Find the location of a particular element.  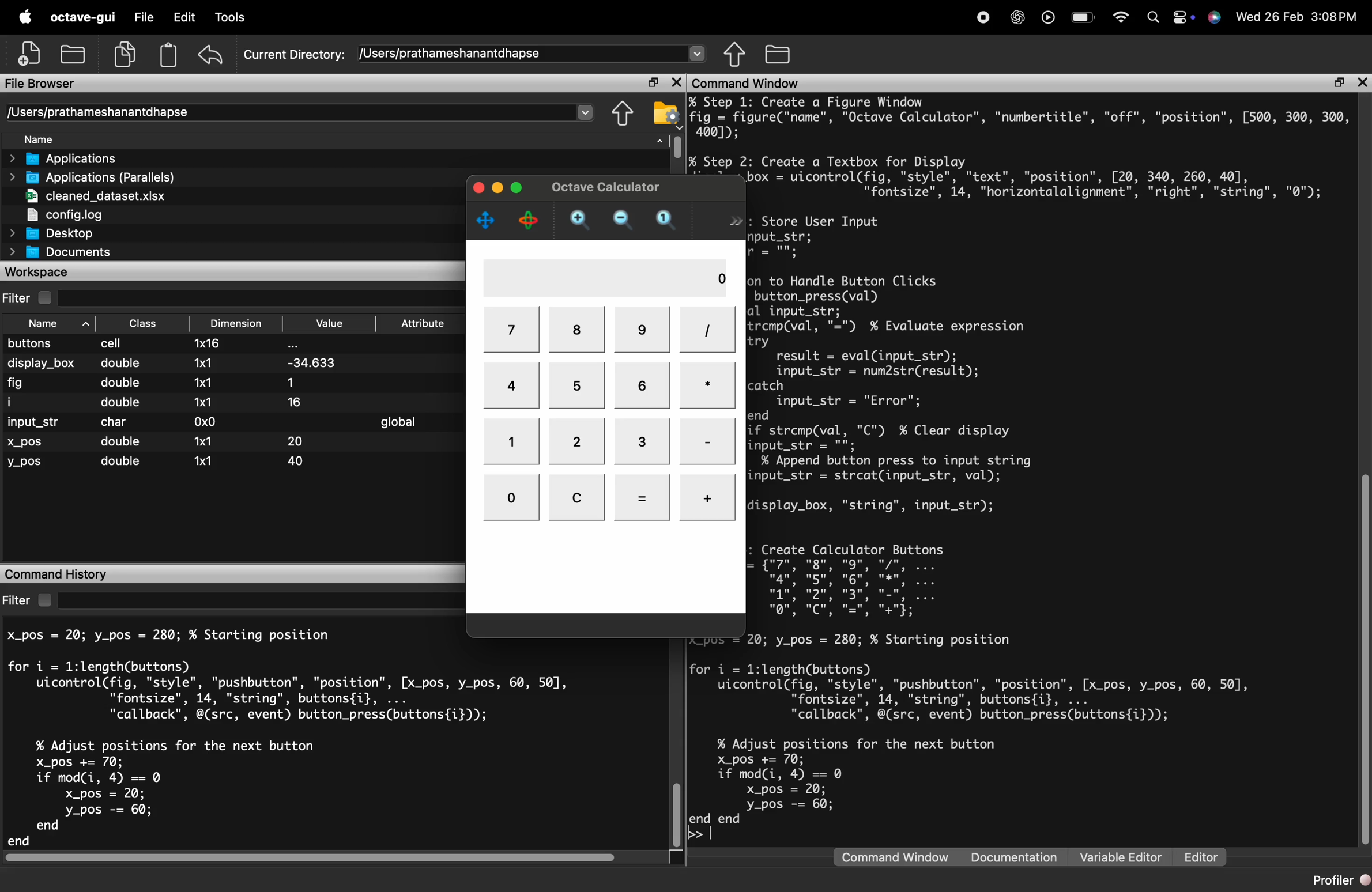

4 is located at coordinates (511, 385).